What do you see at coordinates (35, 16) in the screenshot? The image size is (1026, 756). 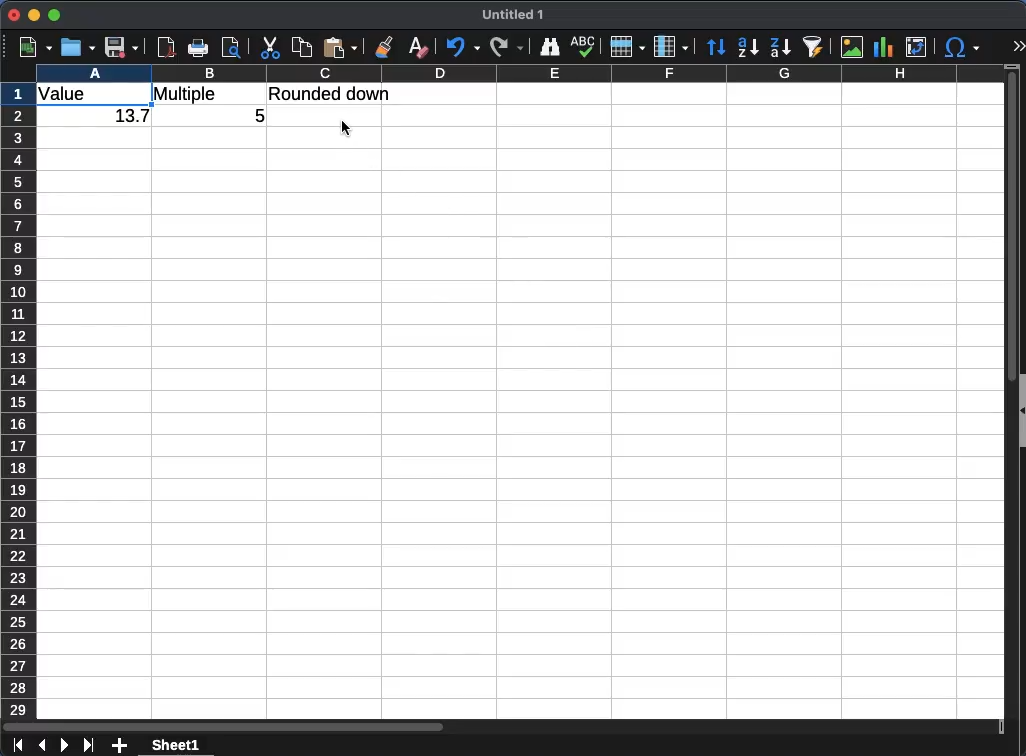 I see `minimize` at bounding box center [35, 16].